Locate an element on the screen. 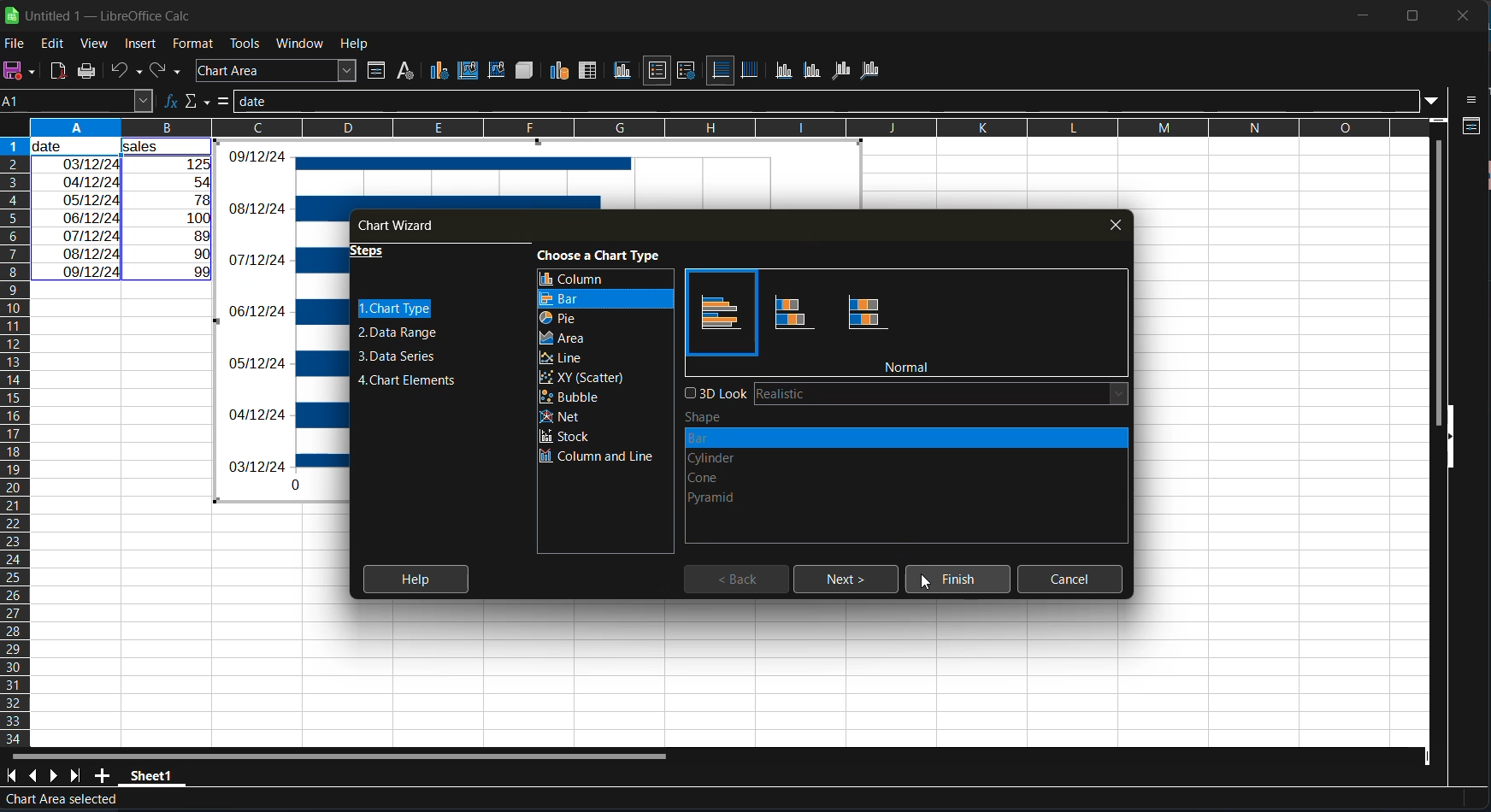 The width and height of the screenshot is (1491, 812). app name and file name is located at coordinates (100, 13).